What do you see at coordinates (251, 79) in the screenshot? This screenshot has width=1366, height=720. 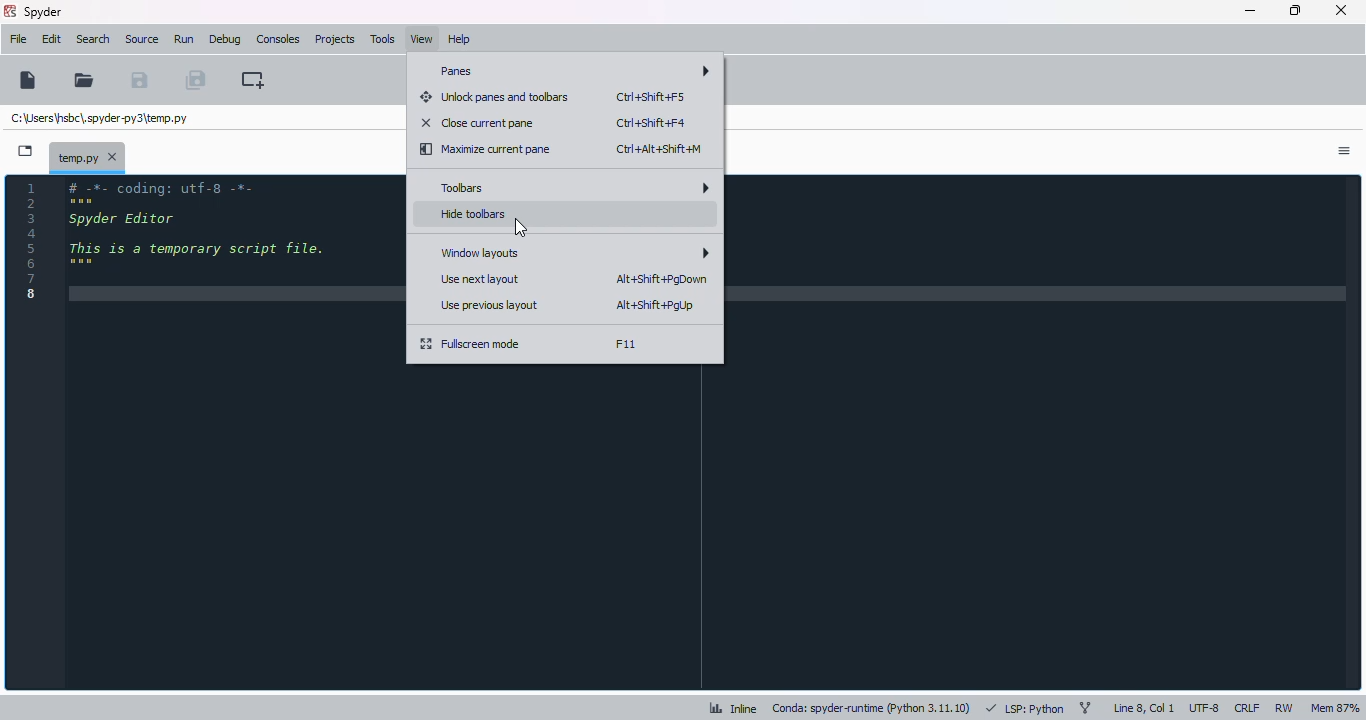 I see `create new cell at the current line` at bounding box center [251, 79].